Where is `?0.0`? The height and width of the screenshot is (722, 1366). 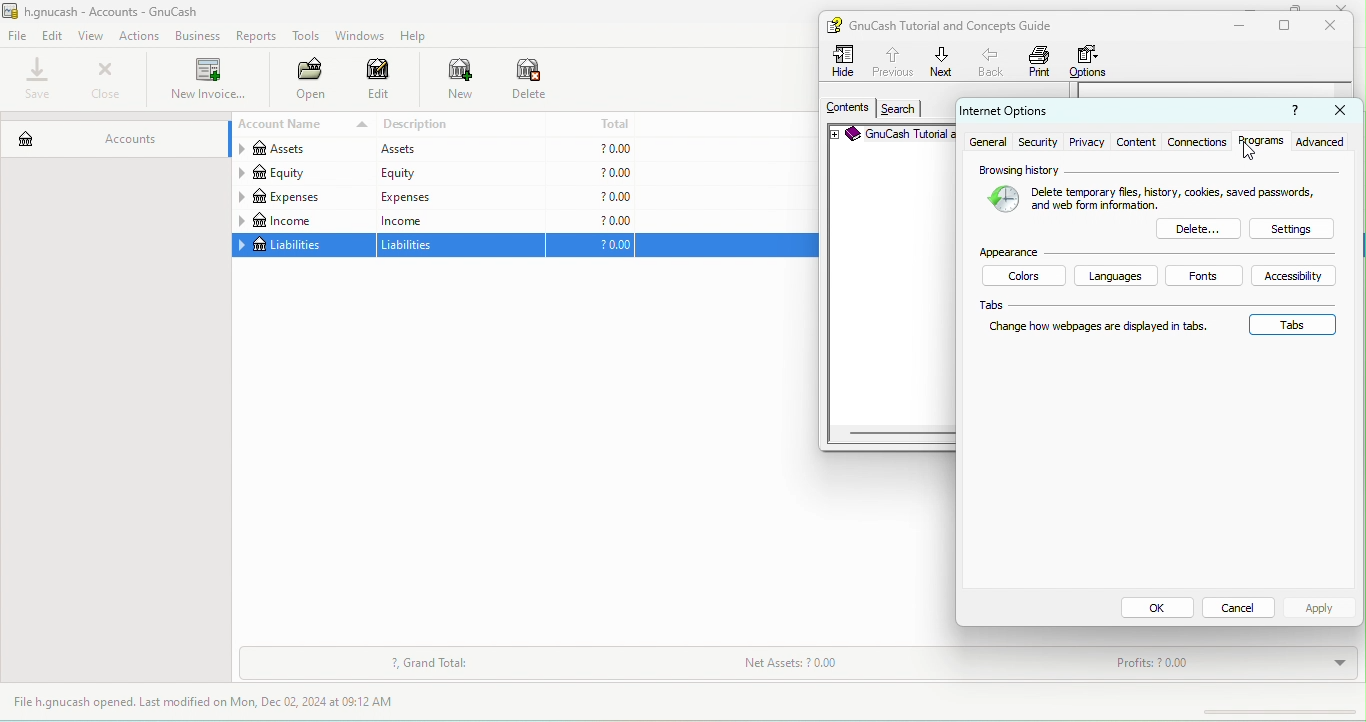
?0.0 is located at coordinates (595, 246).